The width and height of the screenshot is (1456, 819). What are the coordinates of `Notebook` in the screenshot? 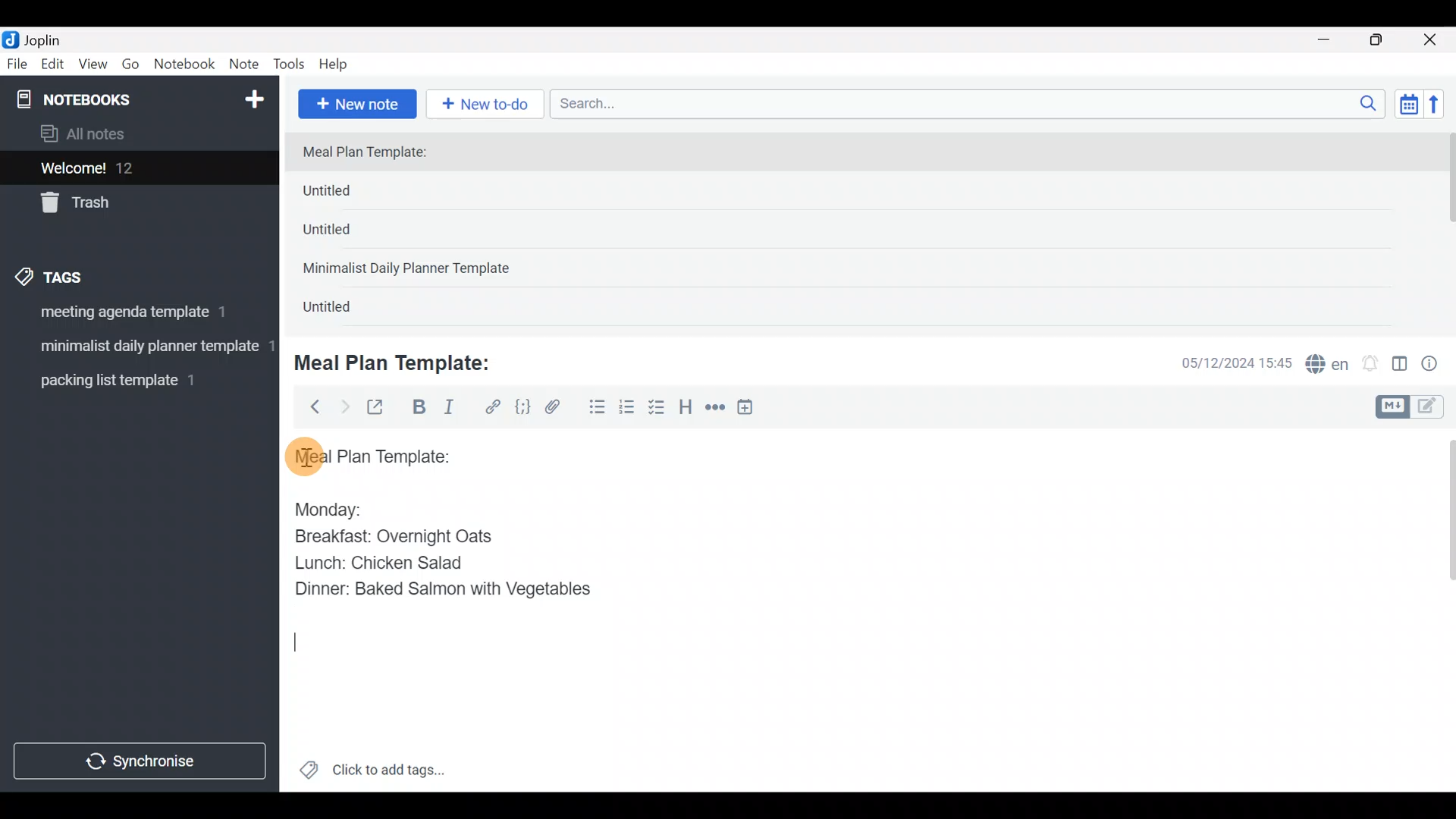 It's located at (185, 64).